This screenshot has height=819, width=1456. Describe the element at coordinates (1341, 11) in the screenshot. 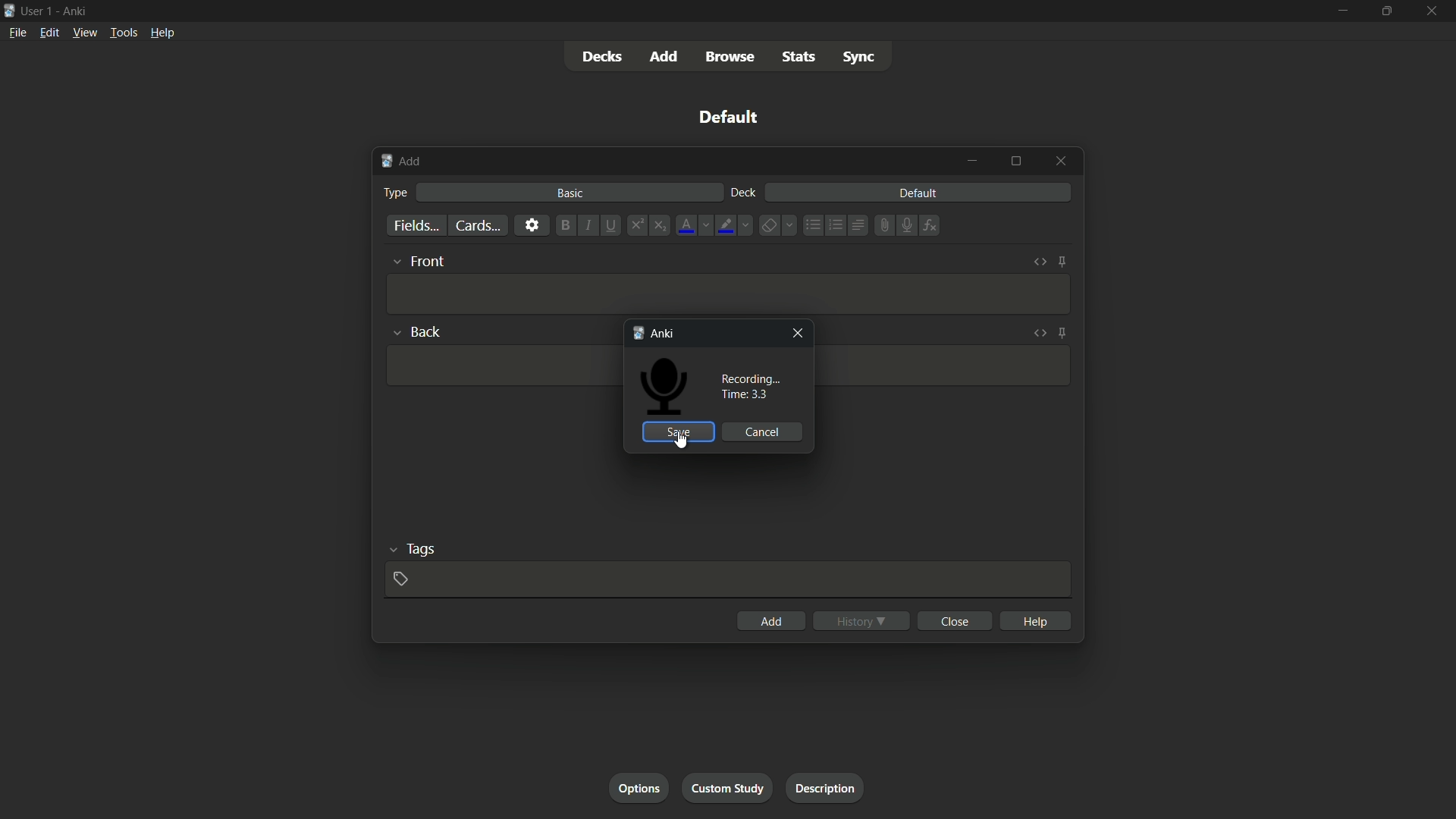

I see `minimize` at that location.